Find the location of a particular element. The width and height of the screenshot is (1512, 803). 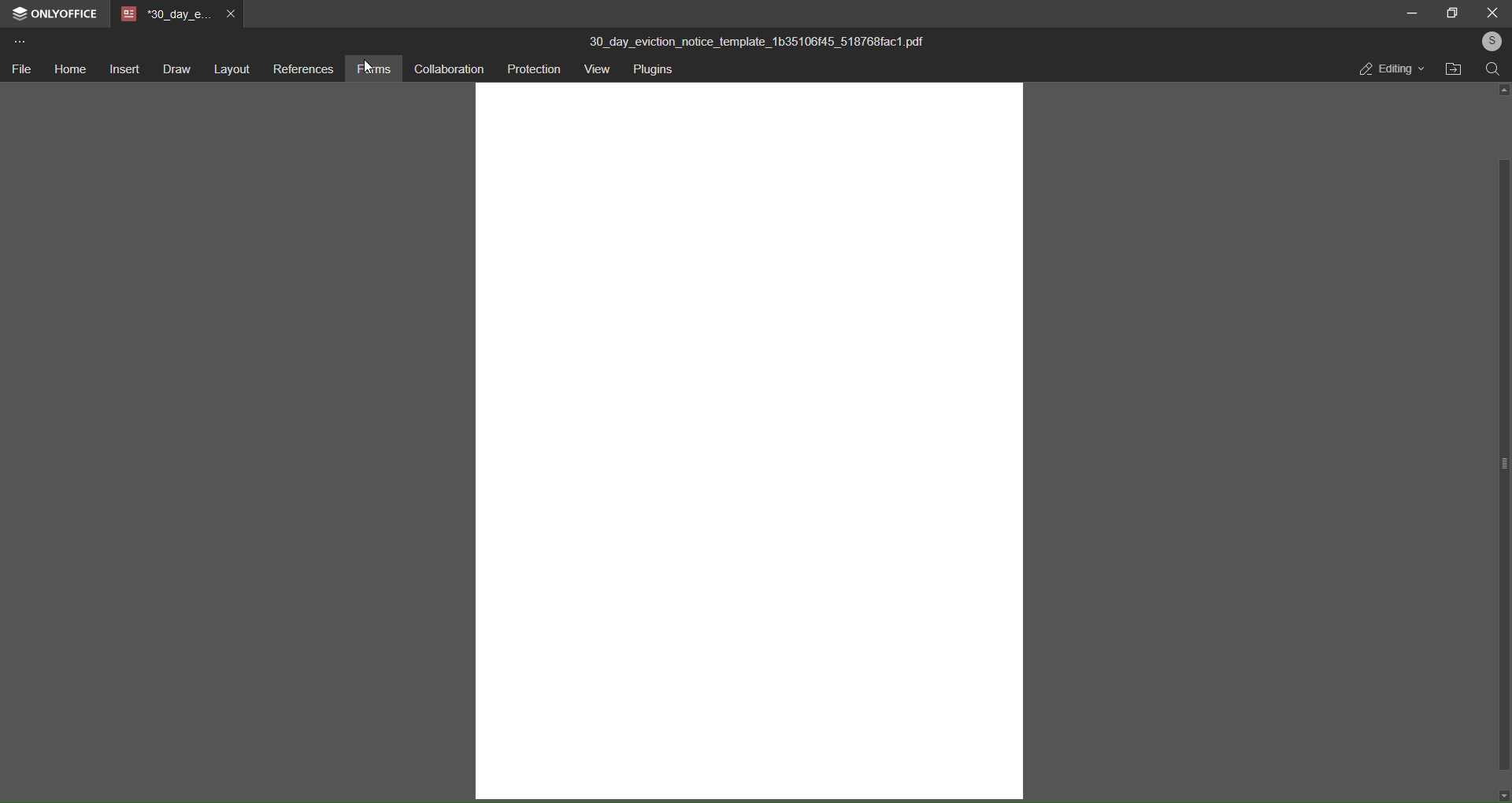

cursor is located at coordinates (371, 74).